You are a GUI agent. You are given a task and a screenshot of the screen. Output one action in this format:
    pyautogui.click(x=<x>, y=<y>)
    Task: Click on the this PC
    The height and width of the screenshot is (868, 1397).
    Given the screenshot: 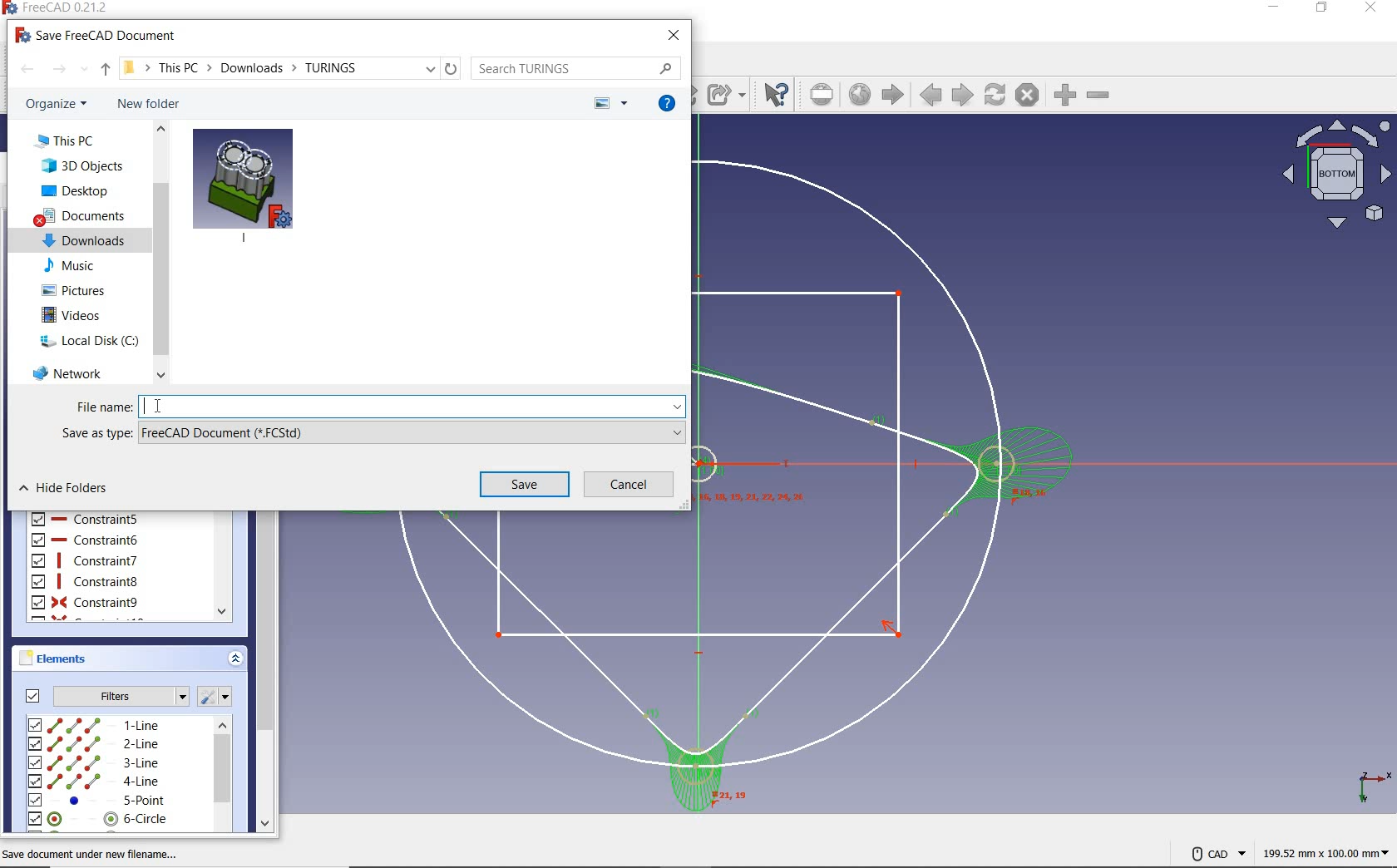 What is the action you would take?
    pyautogui.click(x=67, y=141)
    